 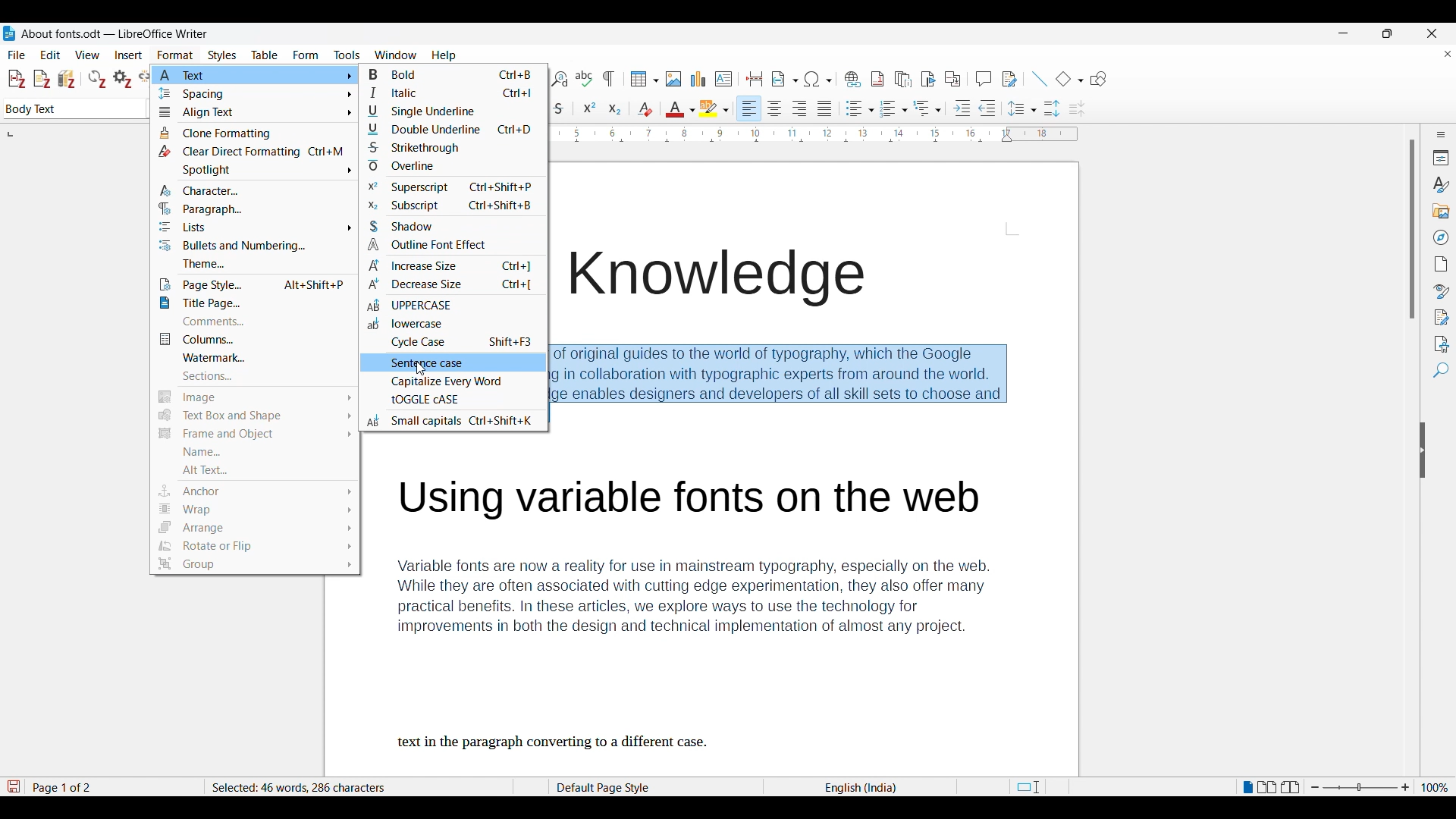 What do you see at coordinates (306, 55) in the screenshot?
I see `Form menu` at bounding box center [306, 55].